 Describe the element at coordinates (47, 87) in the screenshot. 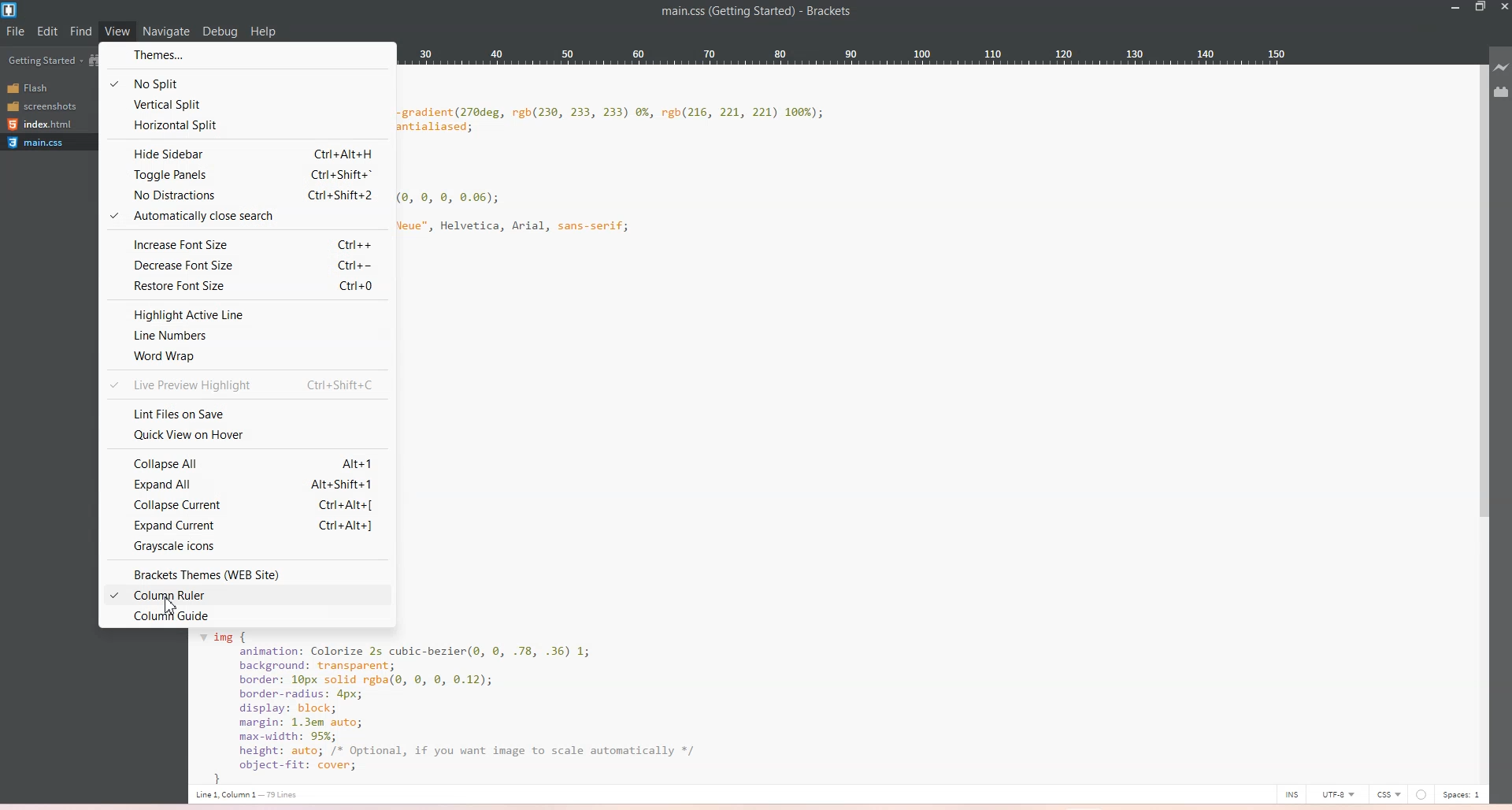

I see `Flash` at that location.